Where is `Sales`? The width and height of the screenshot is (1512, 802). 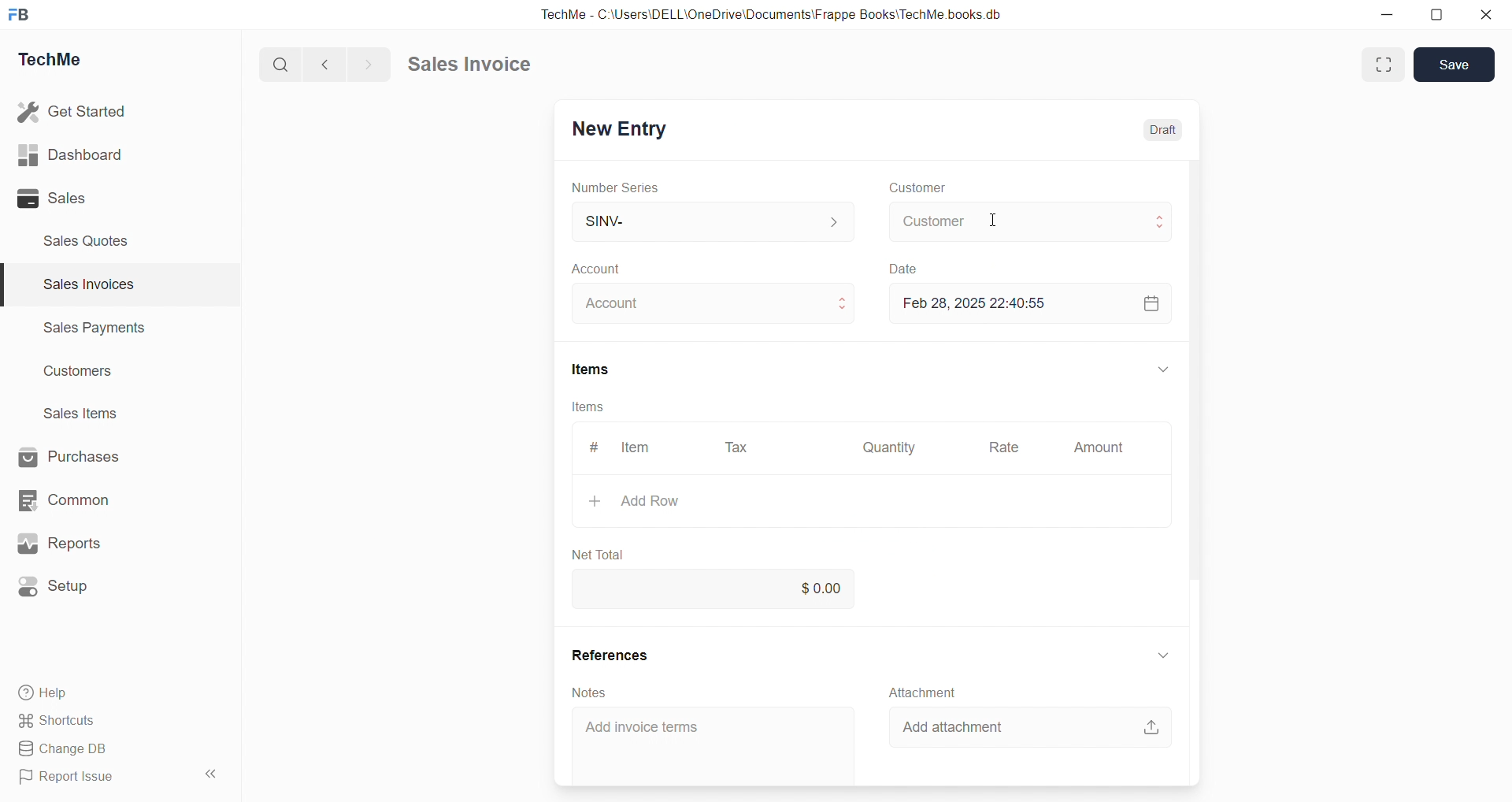
Sales is located at coordinates (52, 198).